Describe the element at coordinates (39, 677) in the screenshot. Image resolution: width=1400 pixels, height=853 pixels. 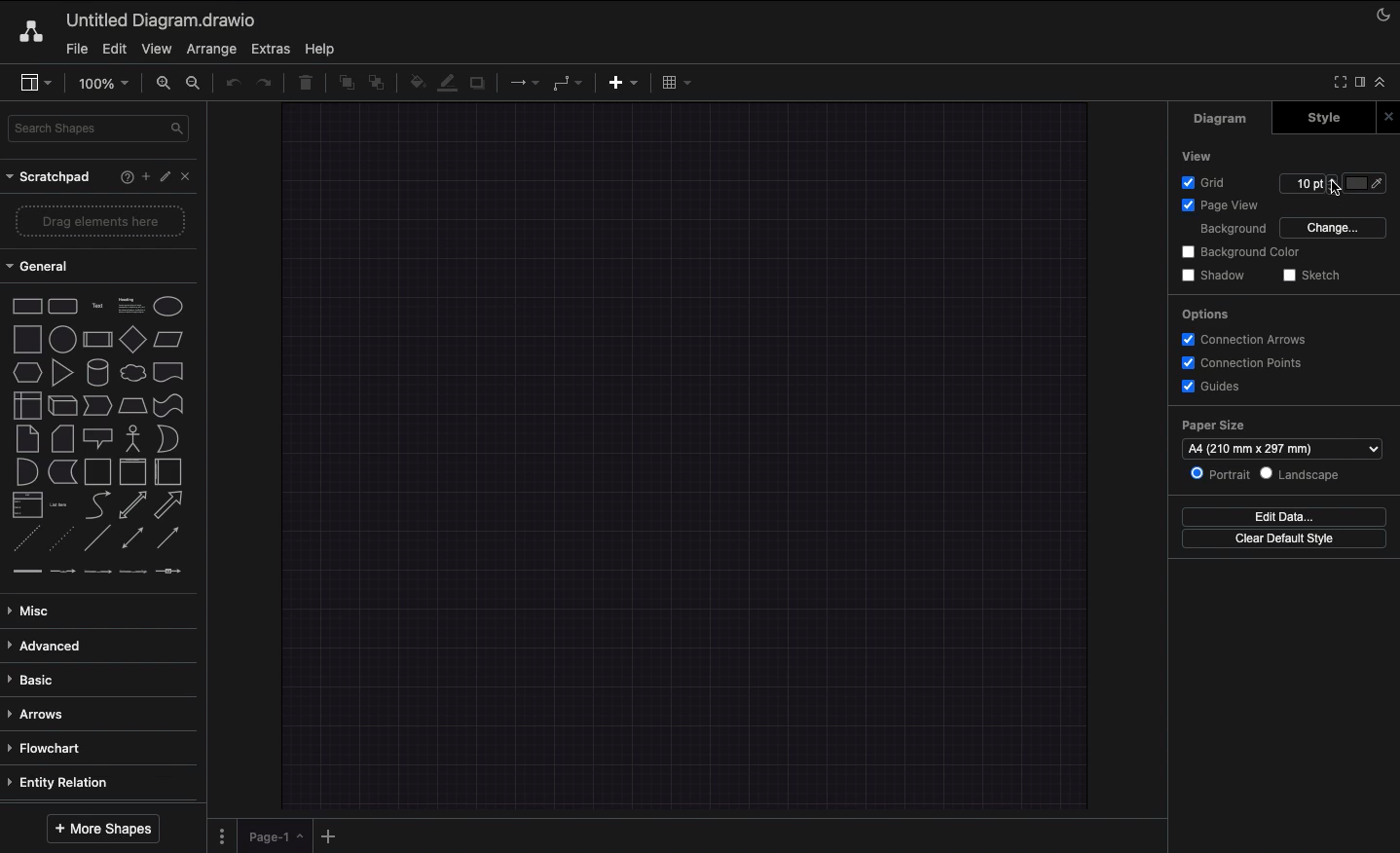
I see `Basic` at that location.